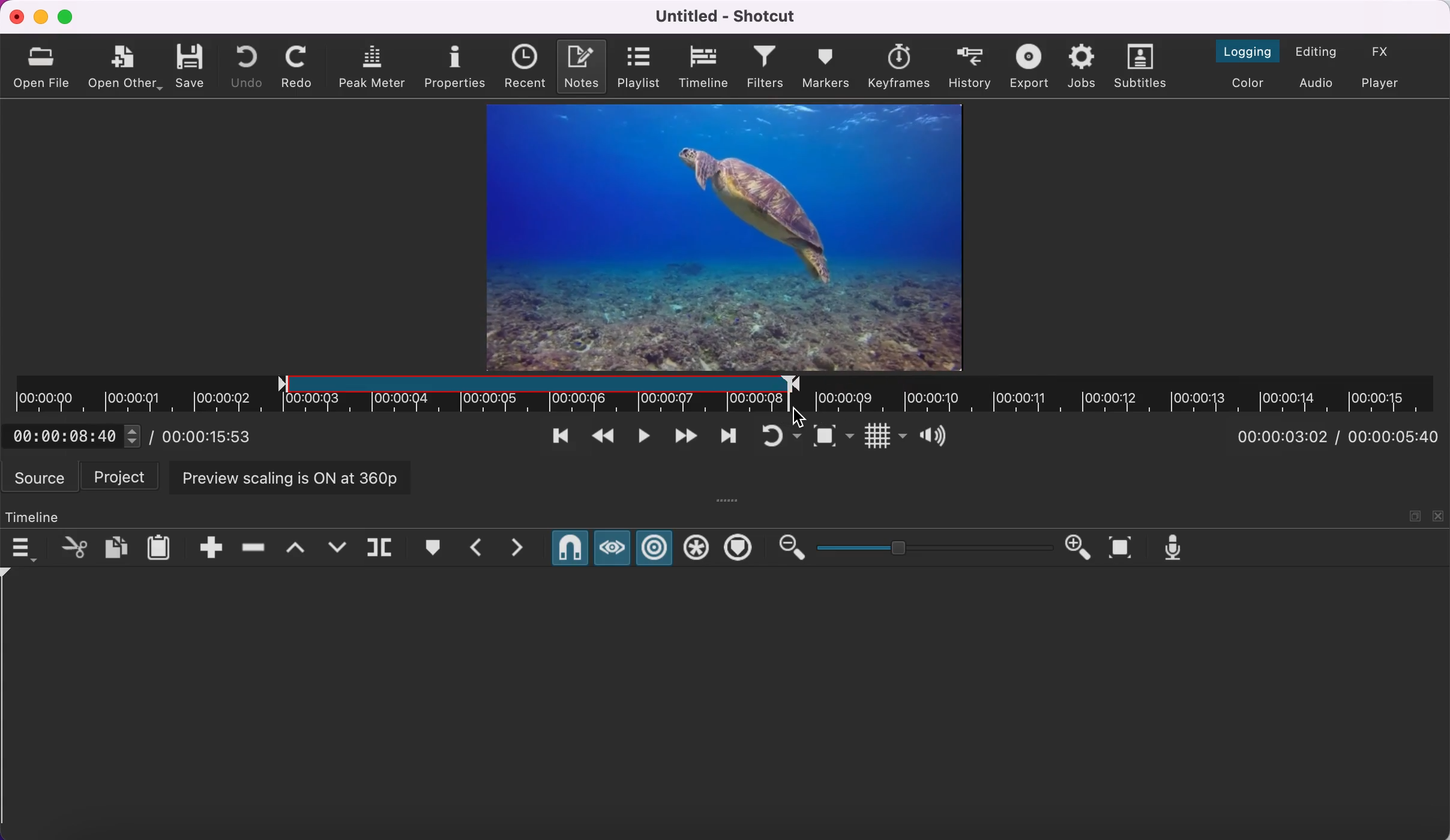  What do you see at coordinates (560, 434) in the screenshot?
I see `skip to previous point` at bounding box center [560, 434].